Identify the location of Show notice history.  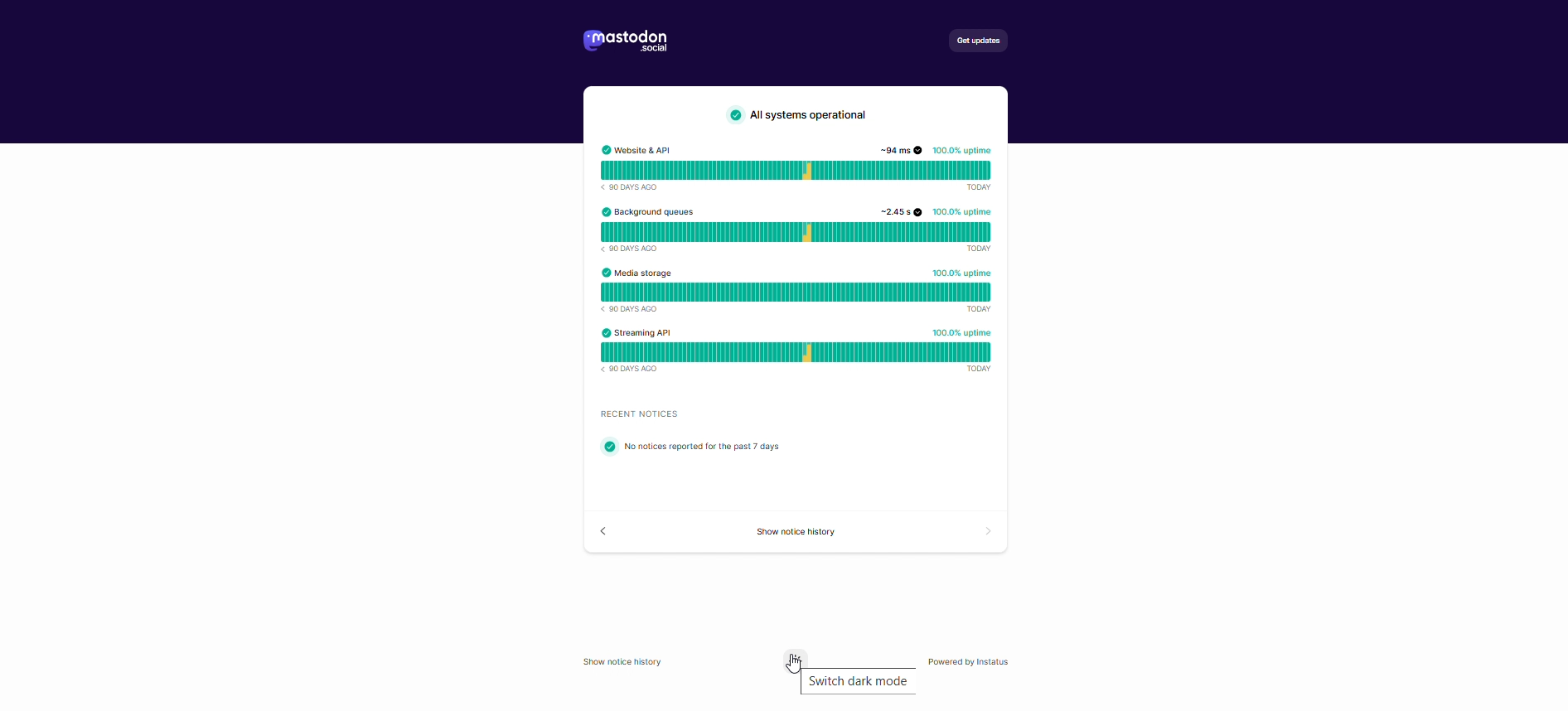
(625, 659).